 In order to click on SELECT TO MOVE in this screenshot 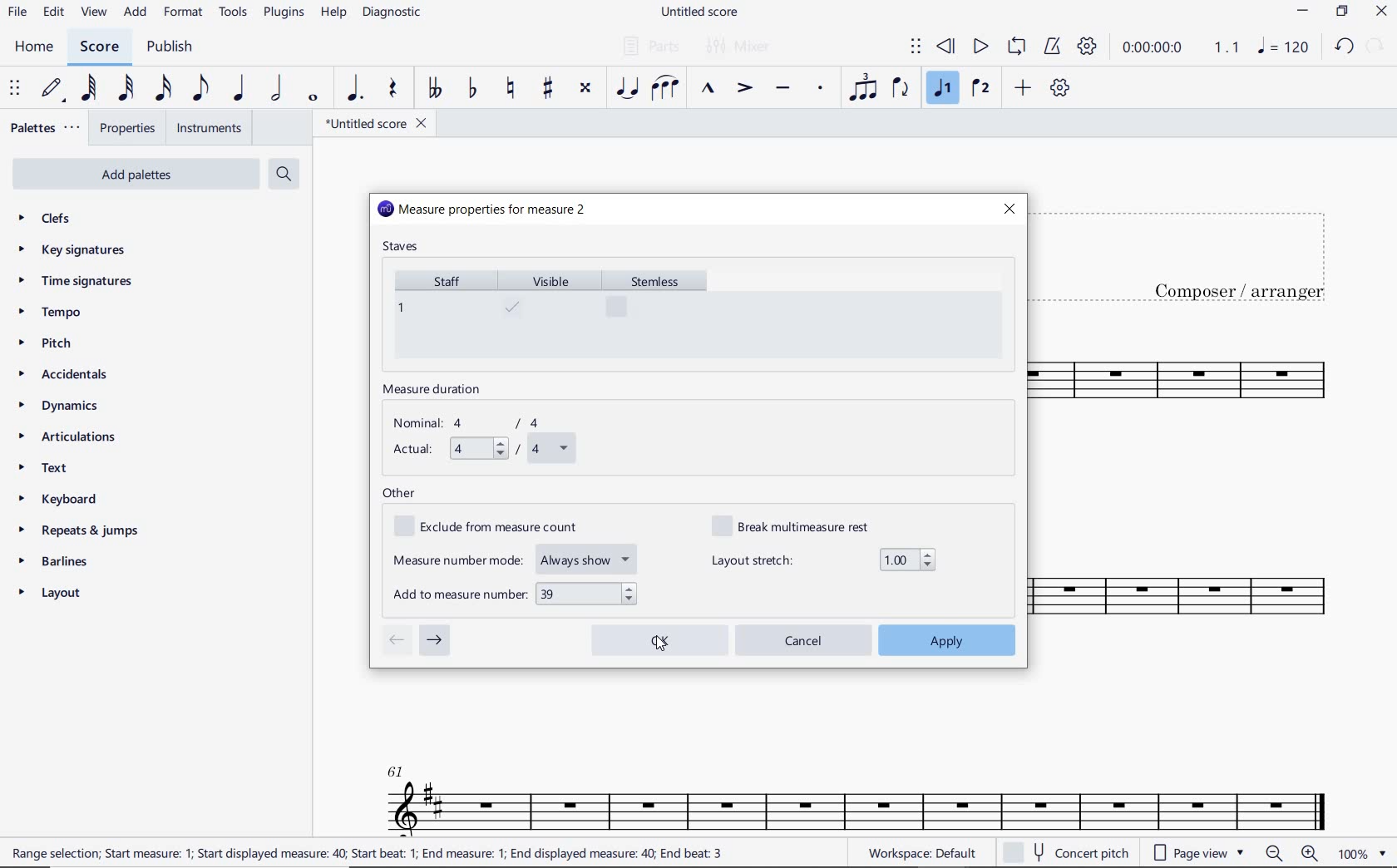, I will do `click(916, 47)`.